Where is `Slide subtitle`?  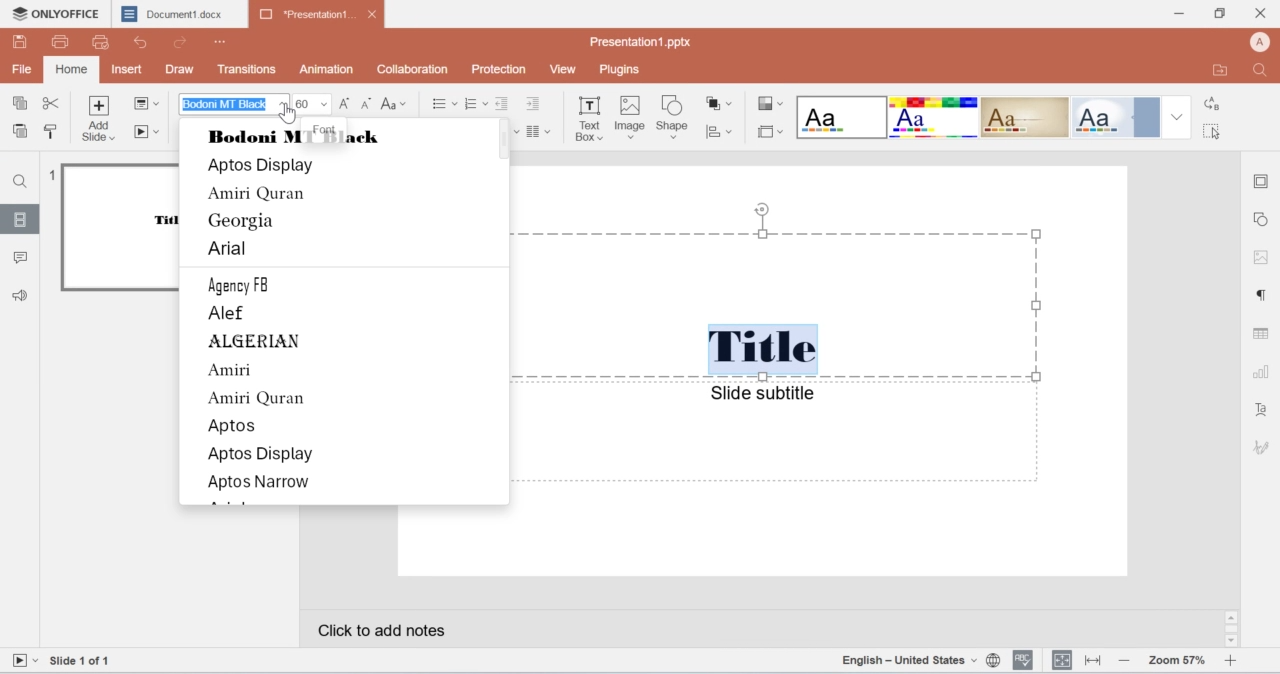
Slide subtitle is located at coordinates (762, 393).